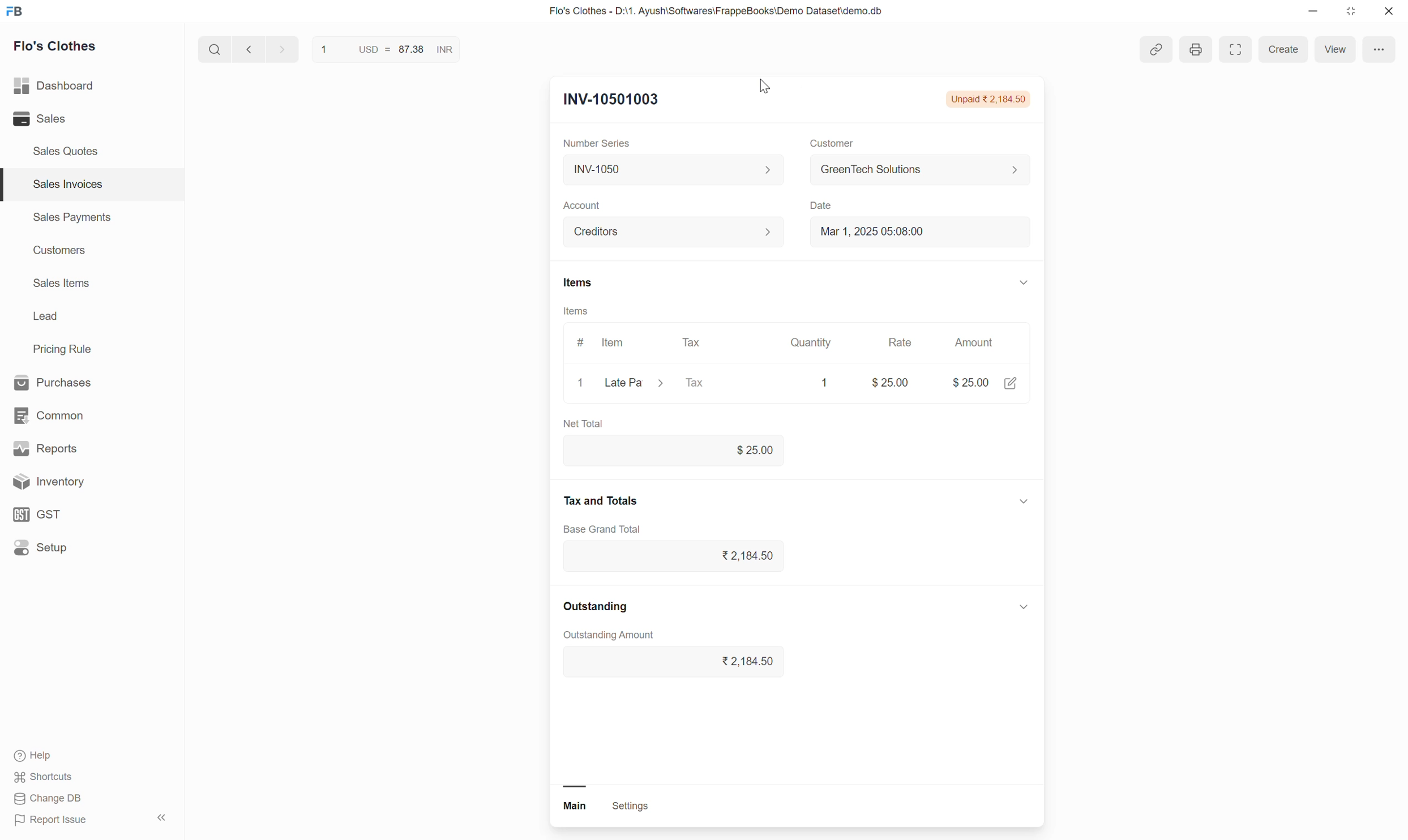 The width and height of the screenshot is (1408, 840). I want to click on refresh, so click(475, 53).